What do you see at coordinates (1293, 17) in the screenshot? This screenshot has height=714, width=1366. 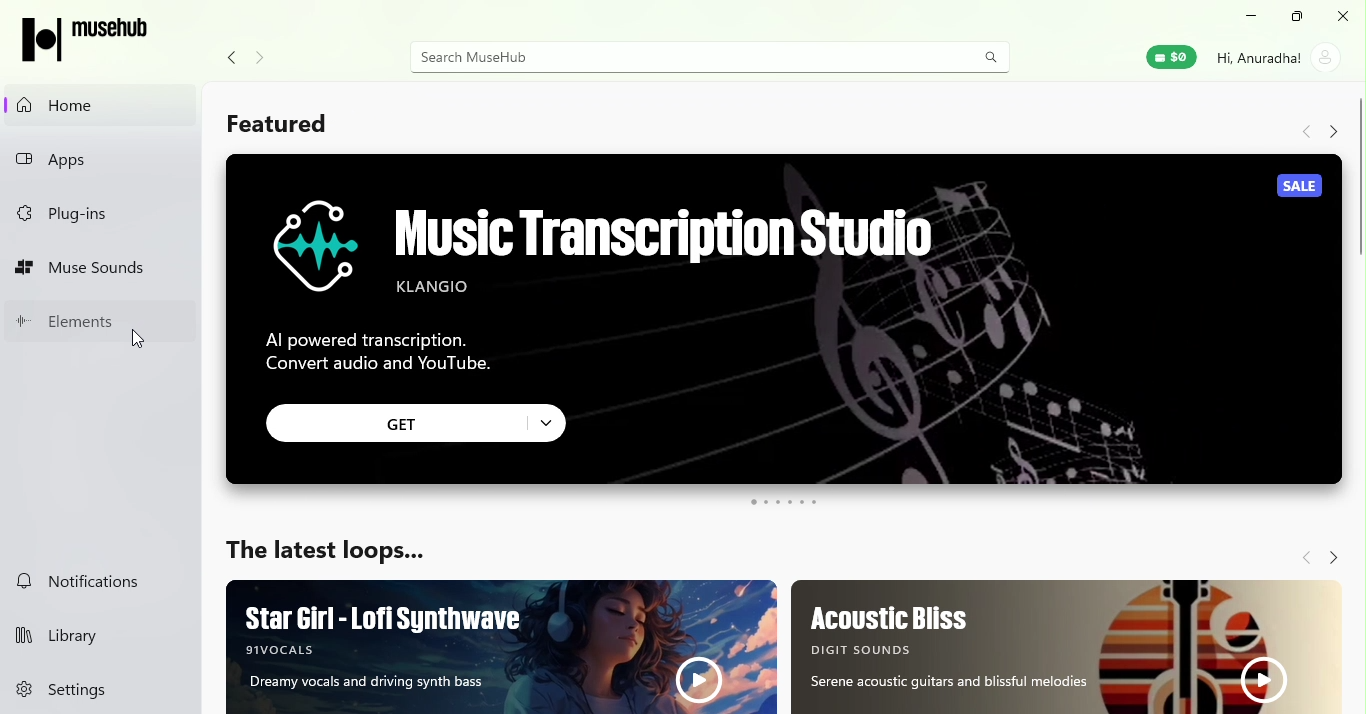 I see `Maximize` at bounding box center [1293, 17].